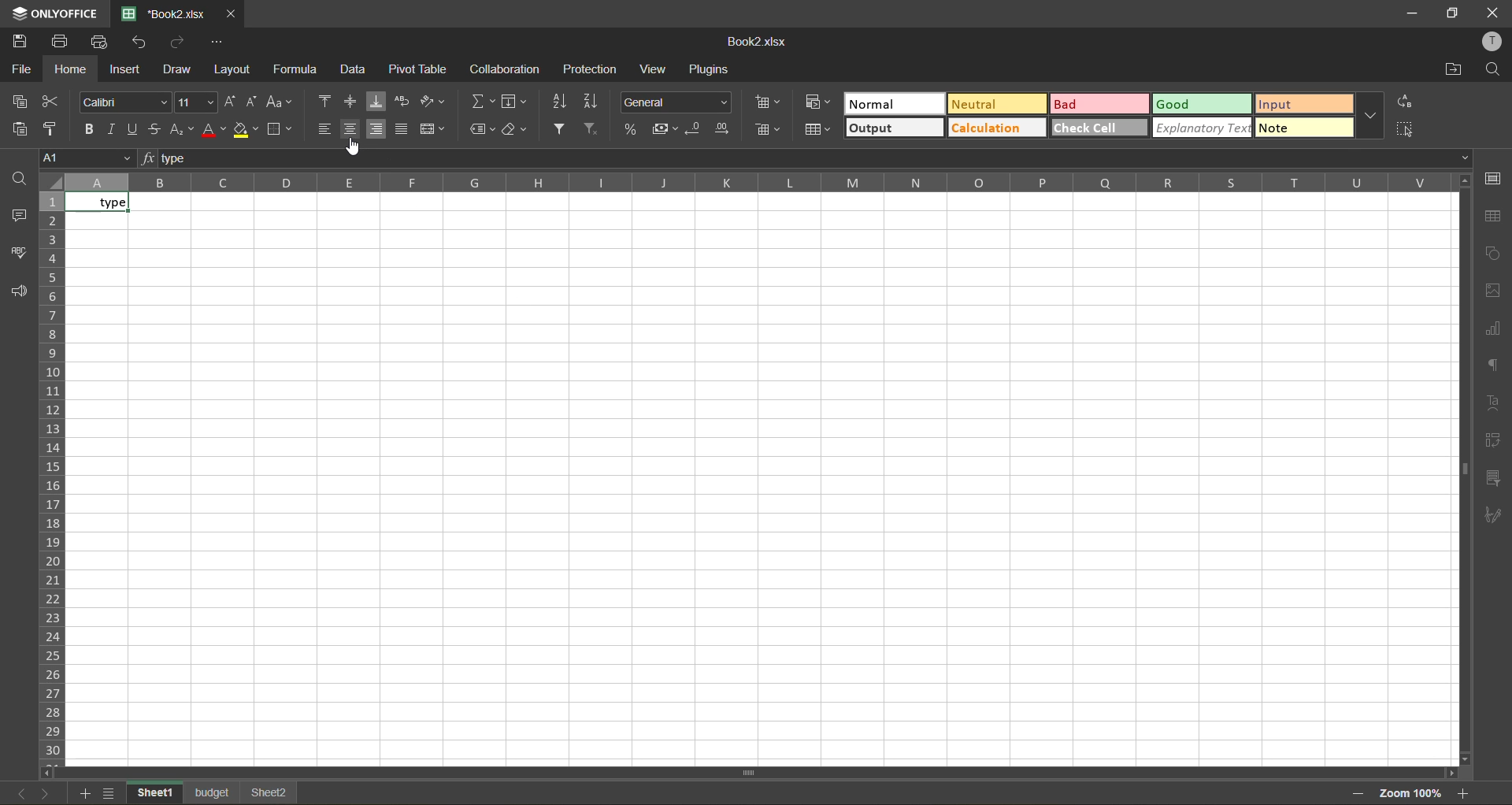  What do you see at coordinates (16, 179) in the screenshot?
I see `find` at bounding box center [16, 179].